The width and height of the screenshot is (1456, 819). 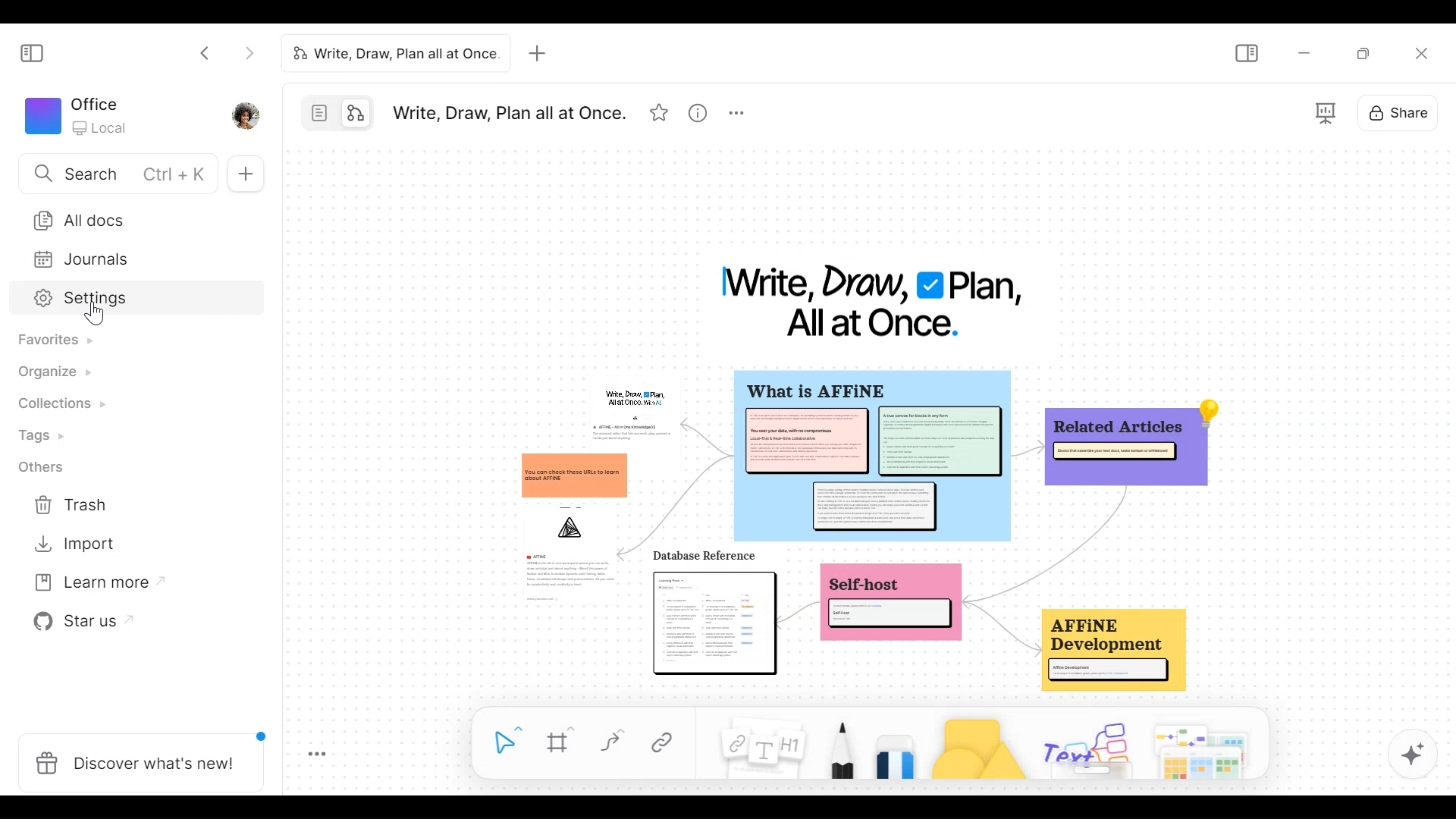 I want to click on Trash, so click(x=76, y=505).